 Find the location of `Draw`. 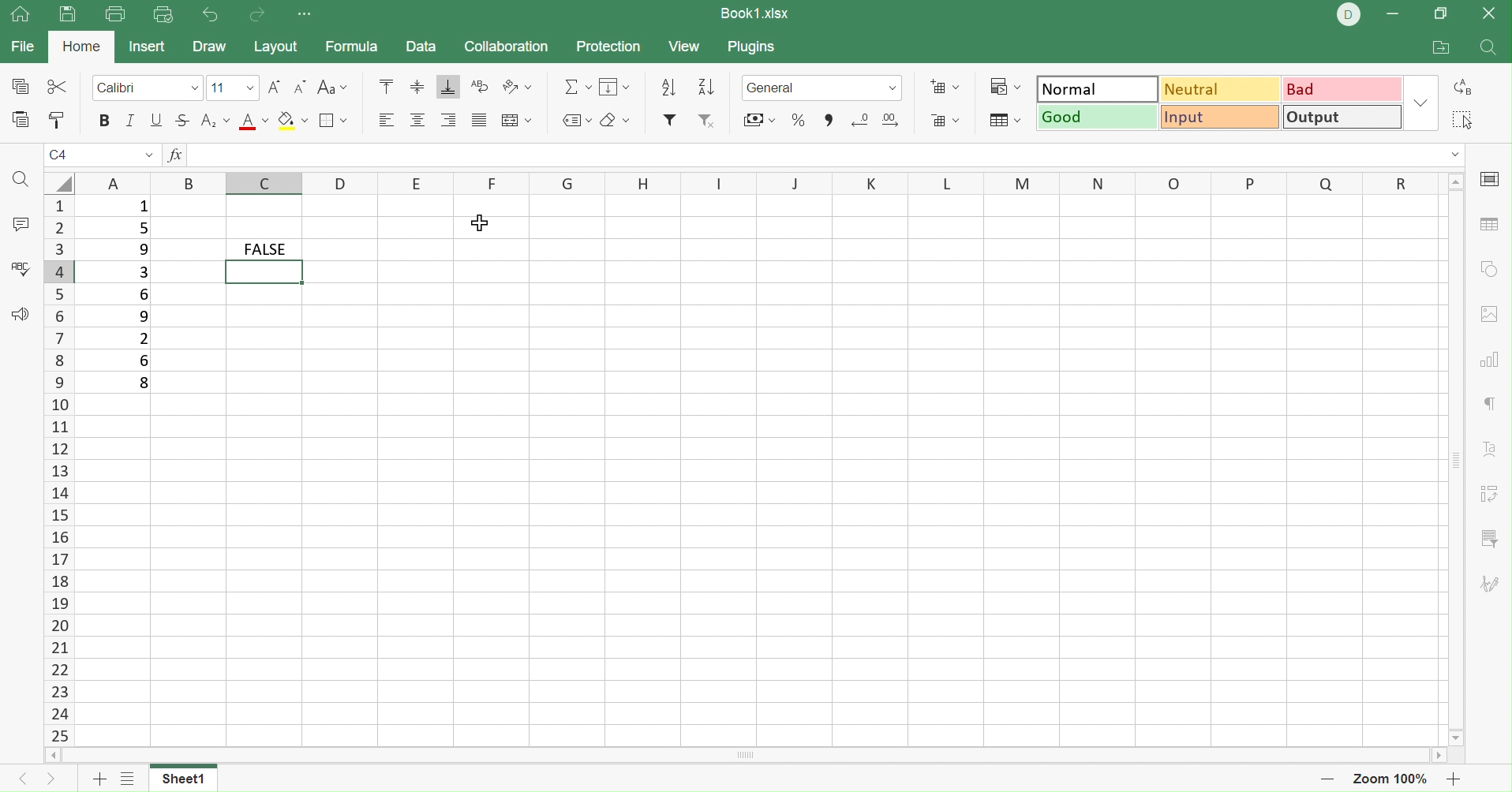

Draw is located at coordinates (208, 47).